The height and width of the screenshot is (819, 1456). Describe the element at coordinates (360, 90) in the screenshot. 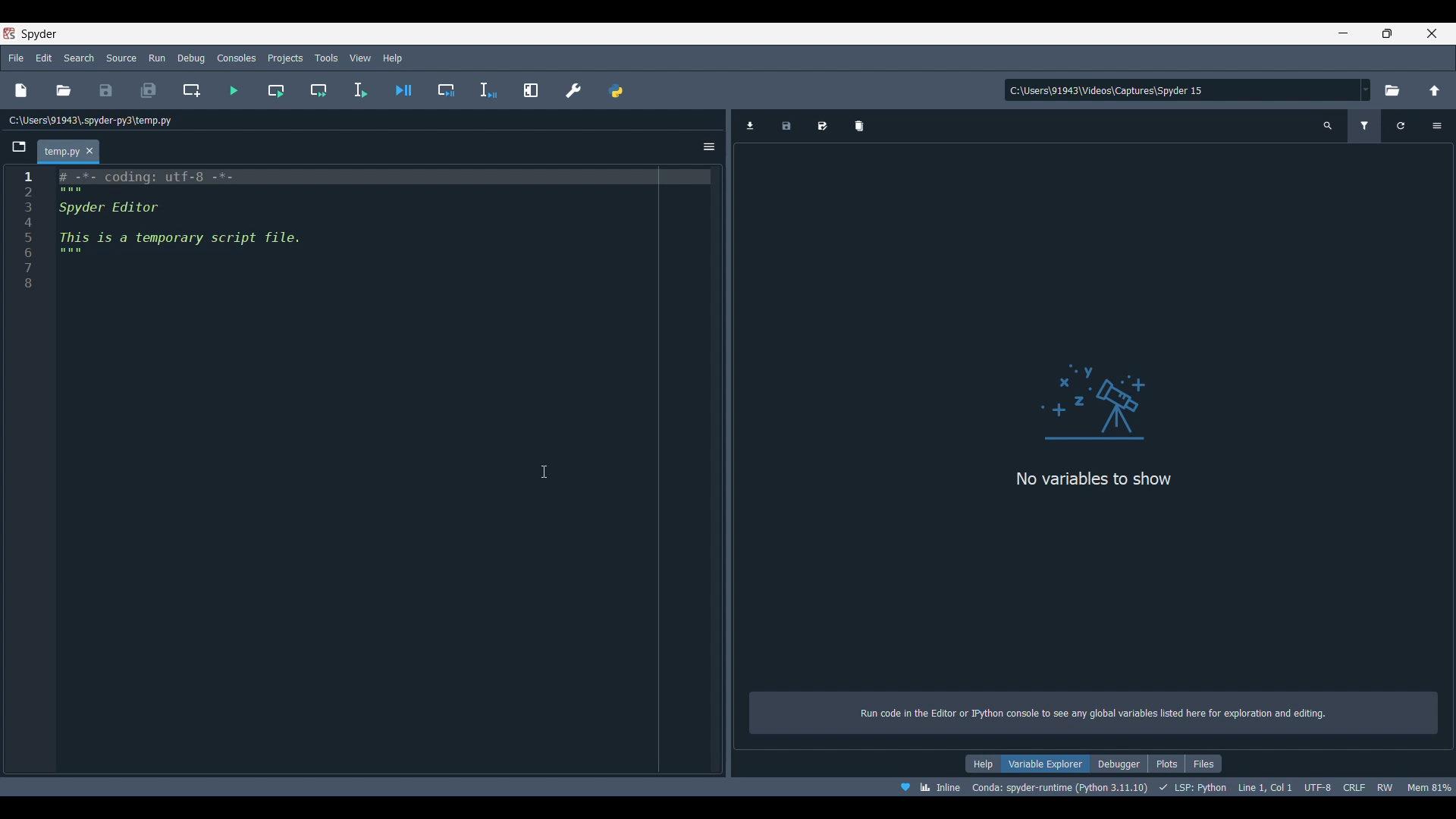

I see `Run selection/current file` at that location.